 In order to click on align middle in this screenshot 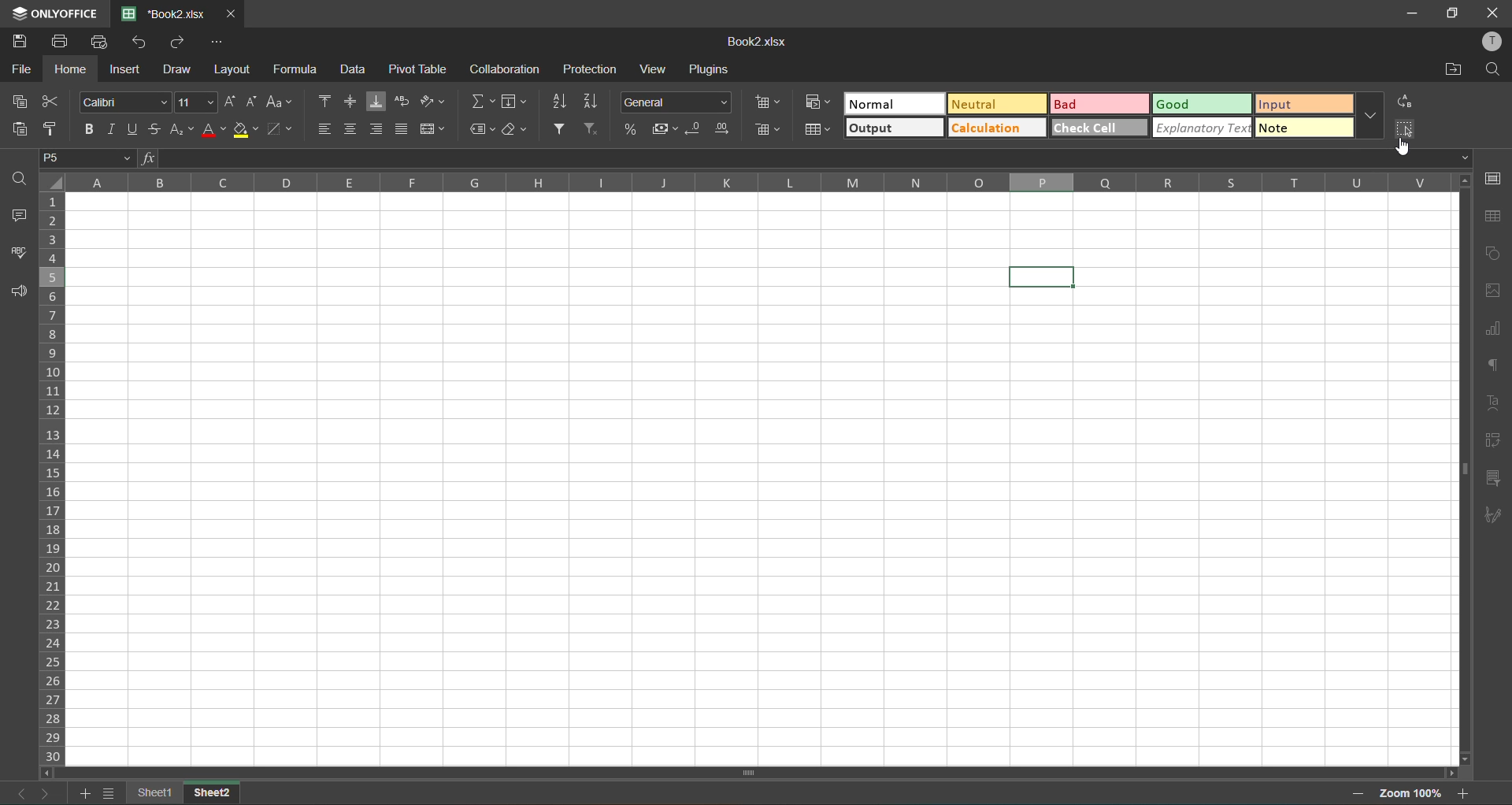, I will do `click(353, 102)`.